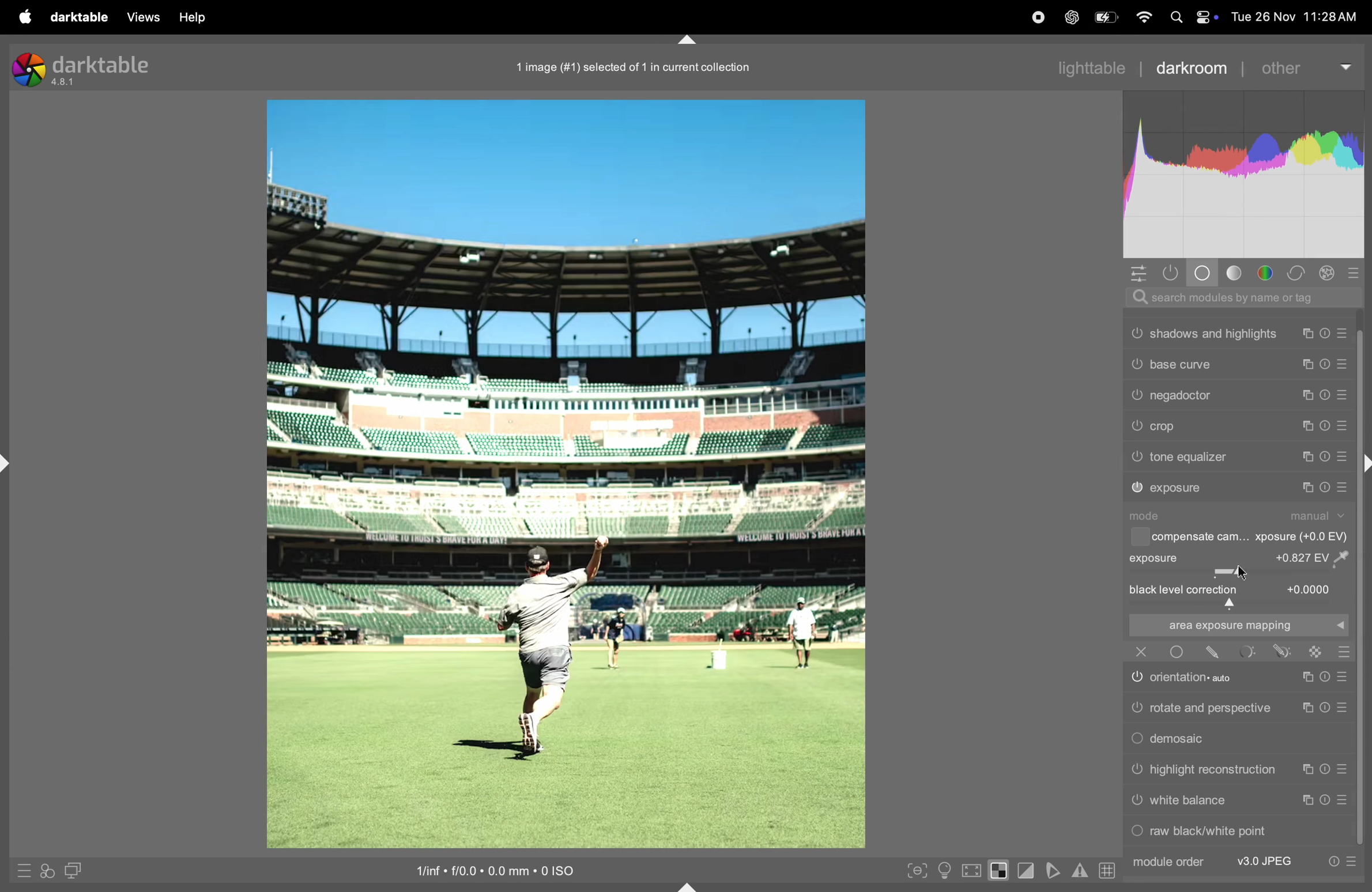  I want to click on copy, so click(1310, 425).